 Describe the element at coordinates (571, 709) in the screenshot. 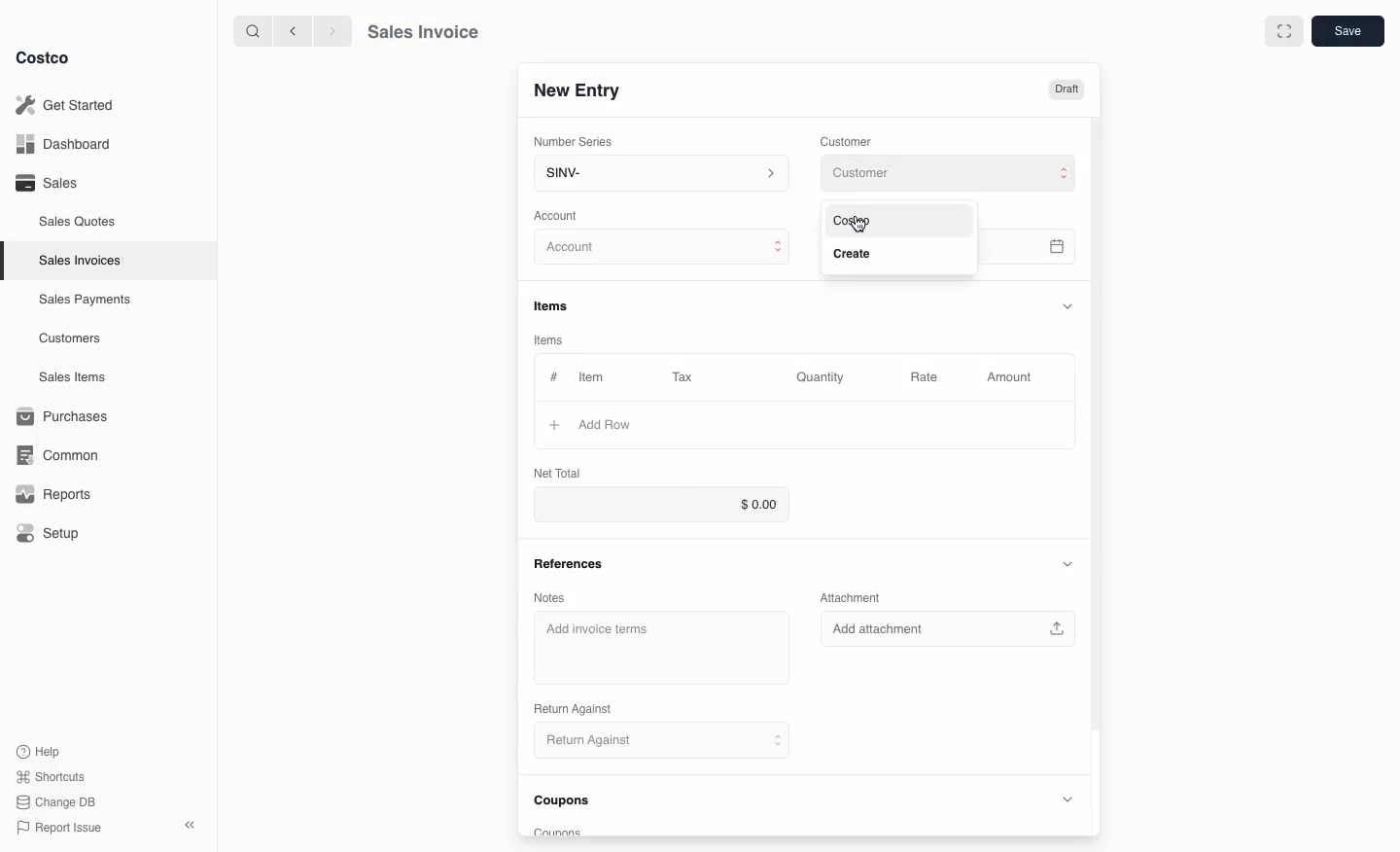

I see `‘Return Against` at that location.